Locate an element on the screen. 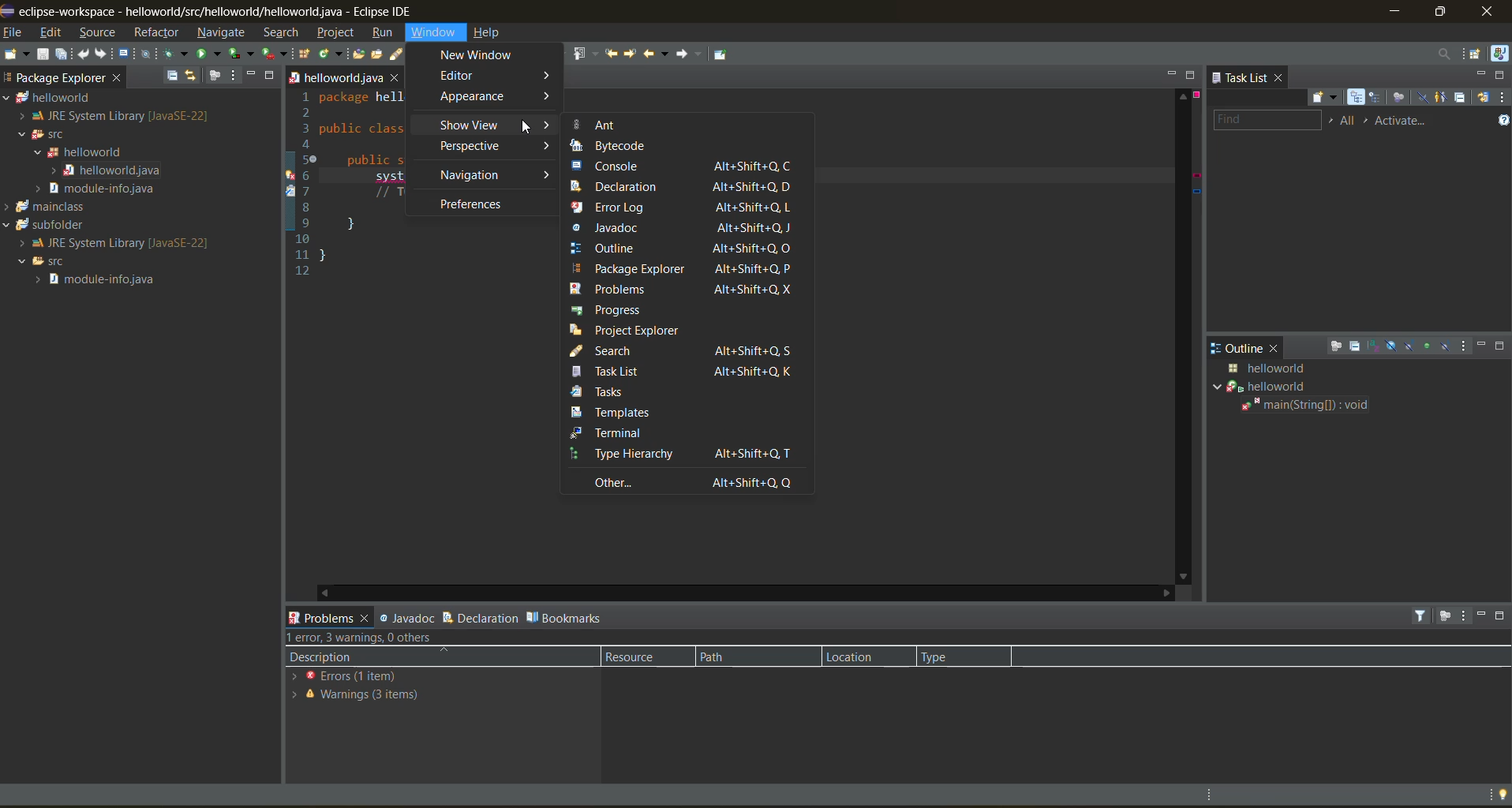 The height and width of the screenshot is (808, 1512). forward is located at coordinates (690, 54).